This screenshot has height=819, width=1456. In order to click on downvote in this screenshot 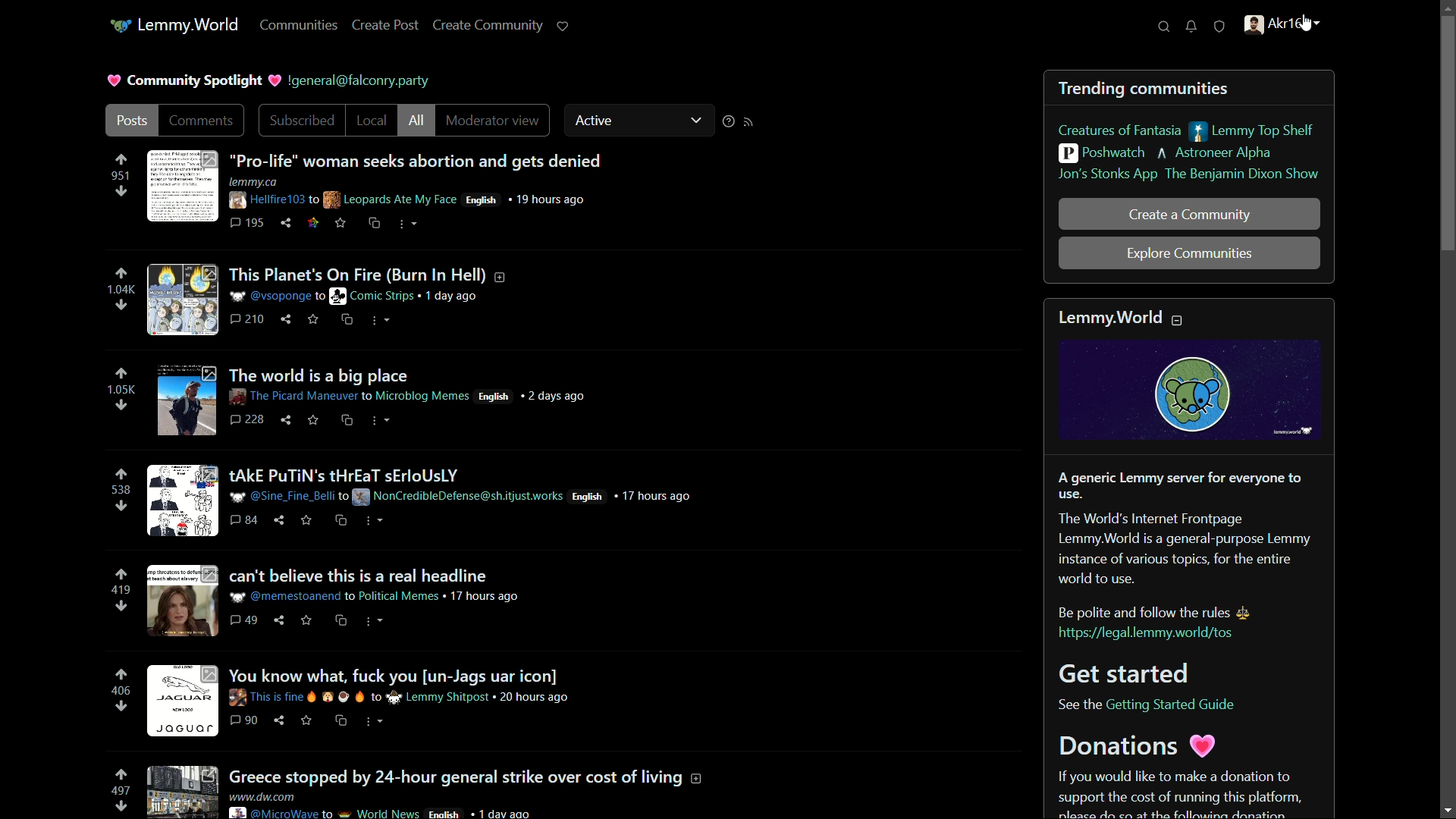, I will do `click(120, 707)`.